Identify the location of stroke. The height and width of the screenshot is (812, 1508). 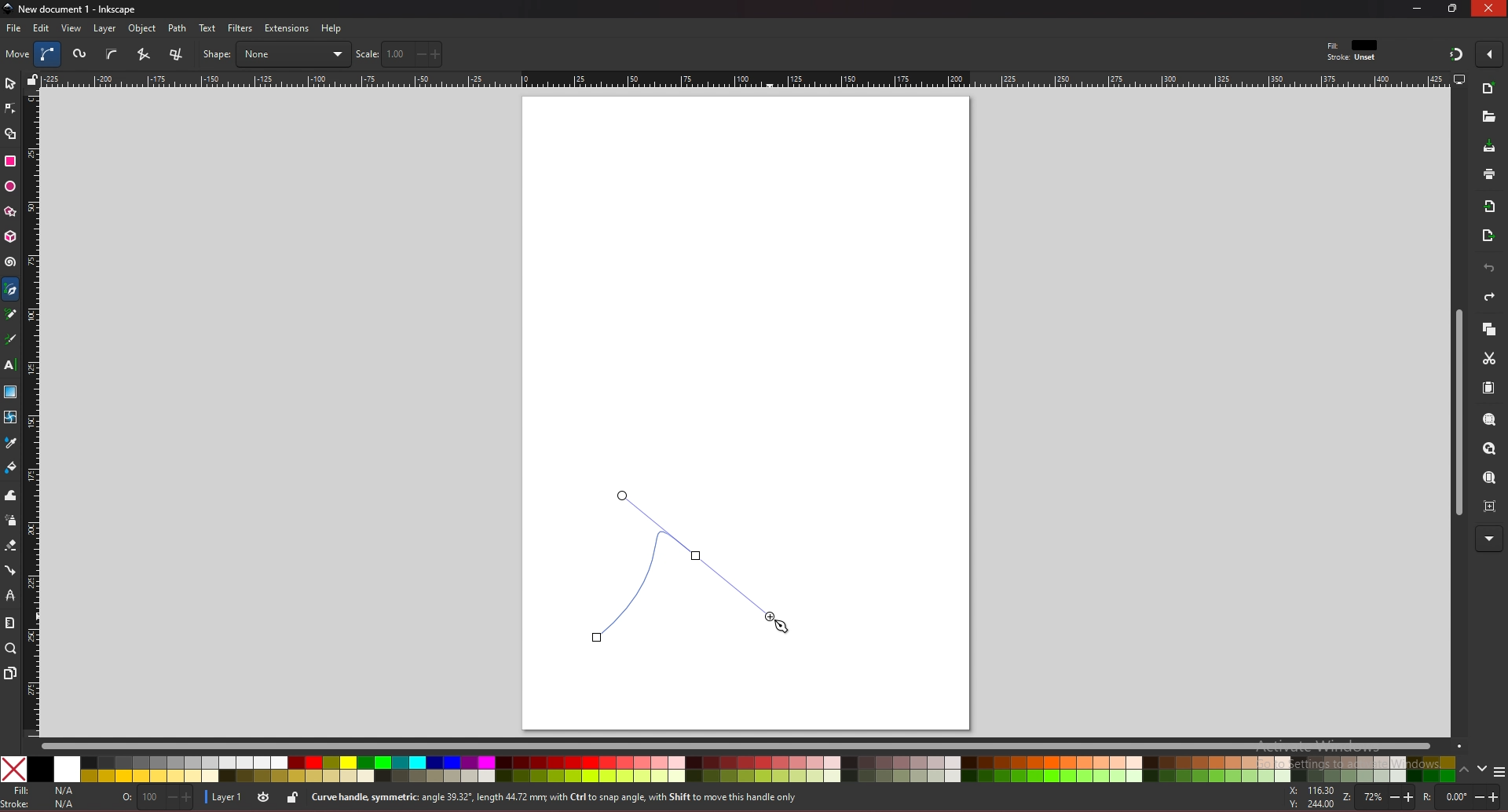
(1352, 58).